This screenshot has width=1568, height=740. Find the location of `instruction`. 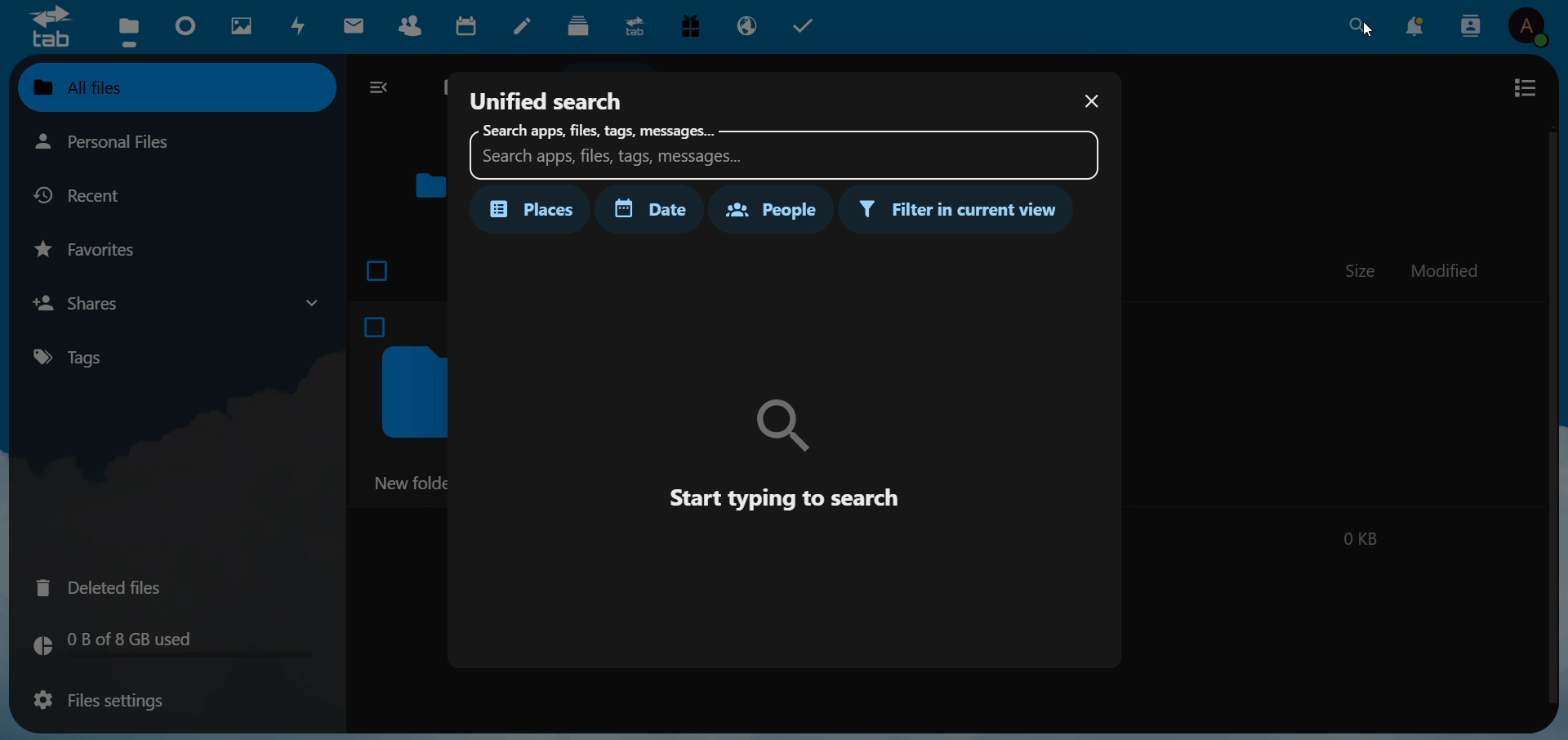

instruction is located at coordinates (792, 446).